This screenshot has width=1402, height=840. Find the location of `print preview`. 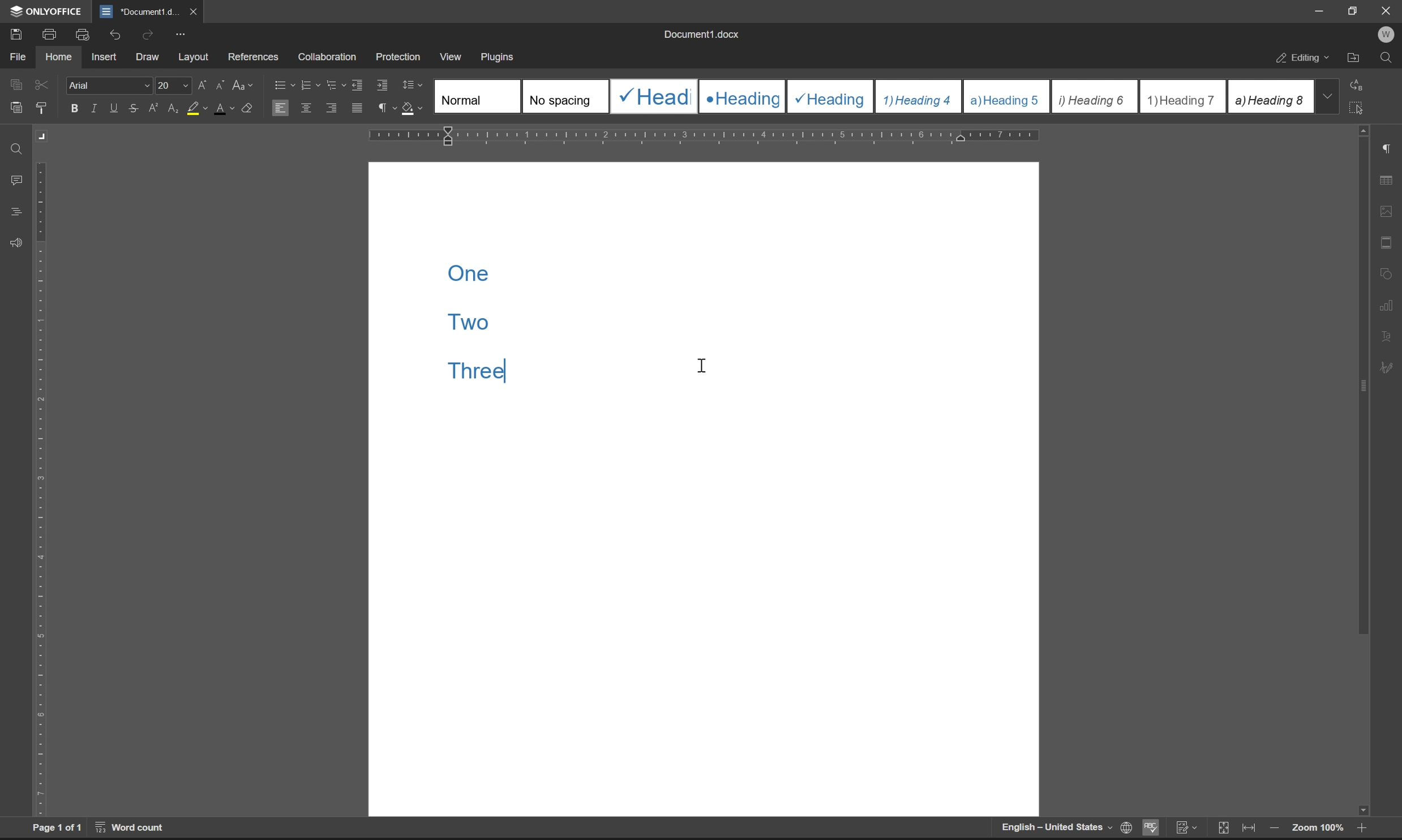

print preview is located at coordinates (84, 35).